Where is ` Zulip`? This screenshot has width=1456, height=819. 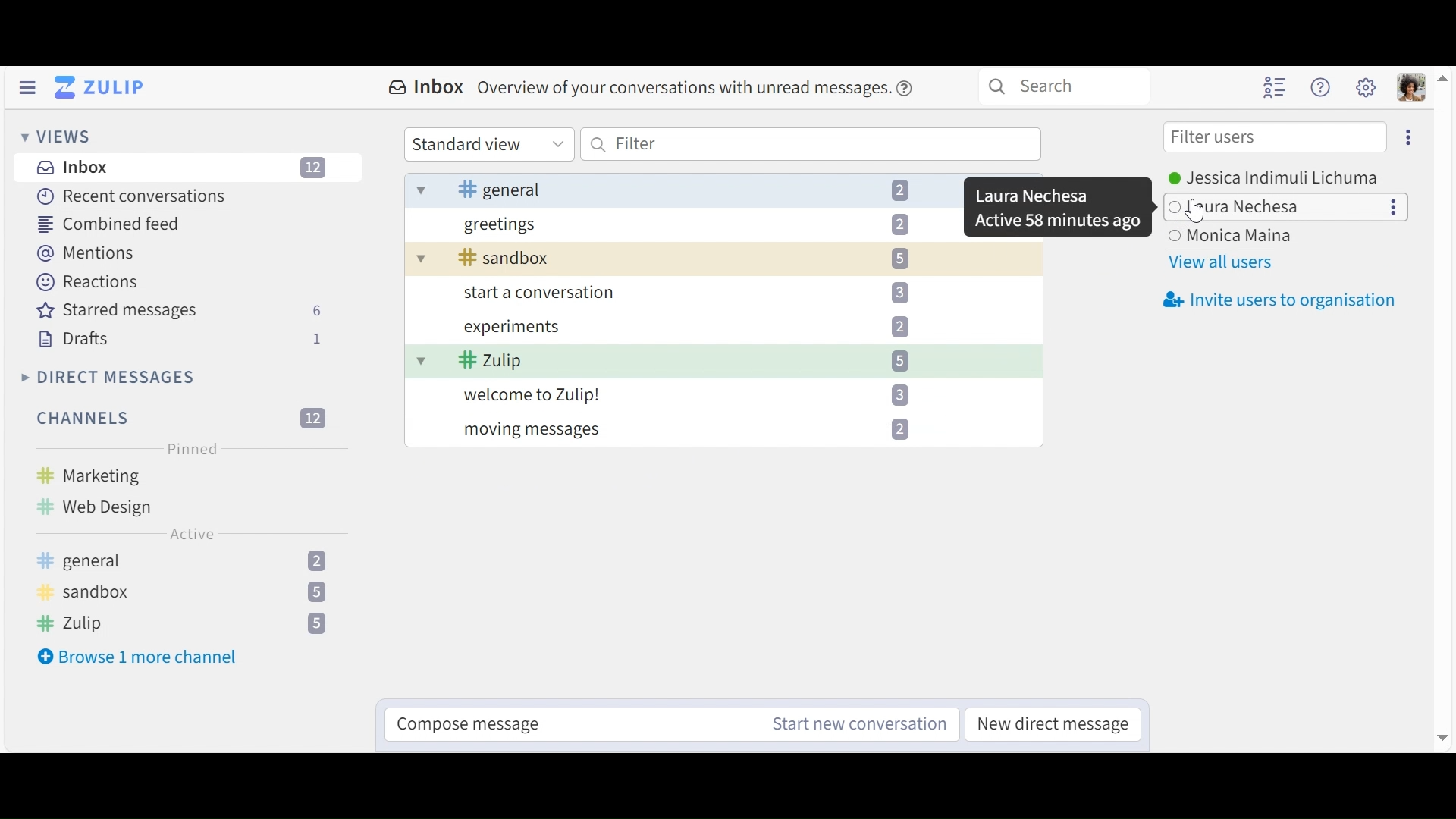  Zulip is located at coordinates (695, 362).